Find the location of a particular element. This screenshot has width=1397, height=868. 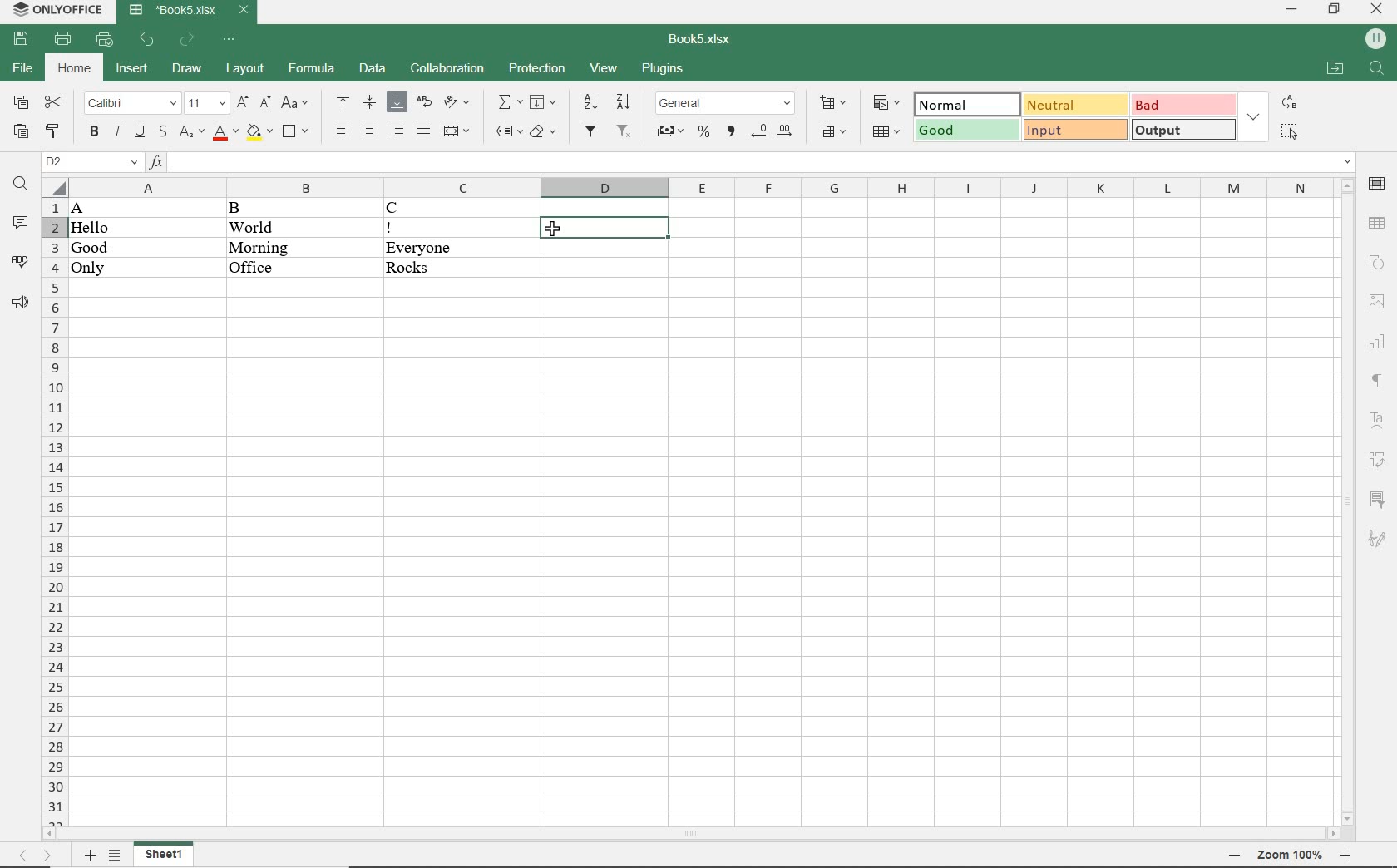

scrollbar is located at coordinates (693, 832).